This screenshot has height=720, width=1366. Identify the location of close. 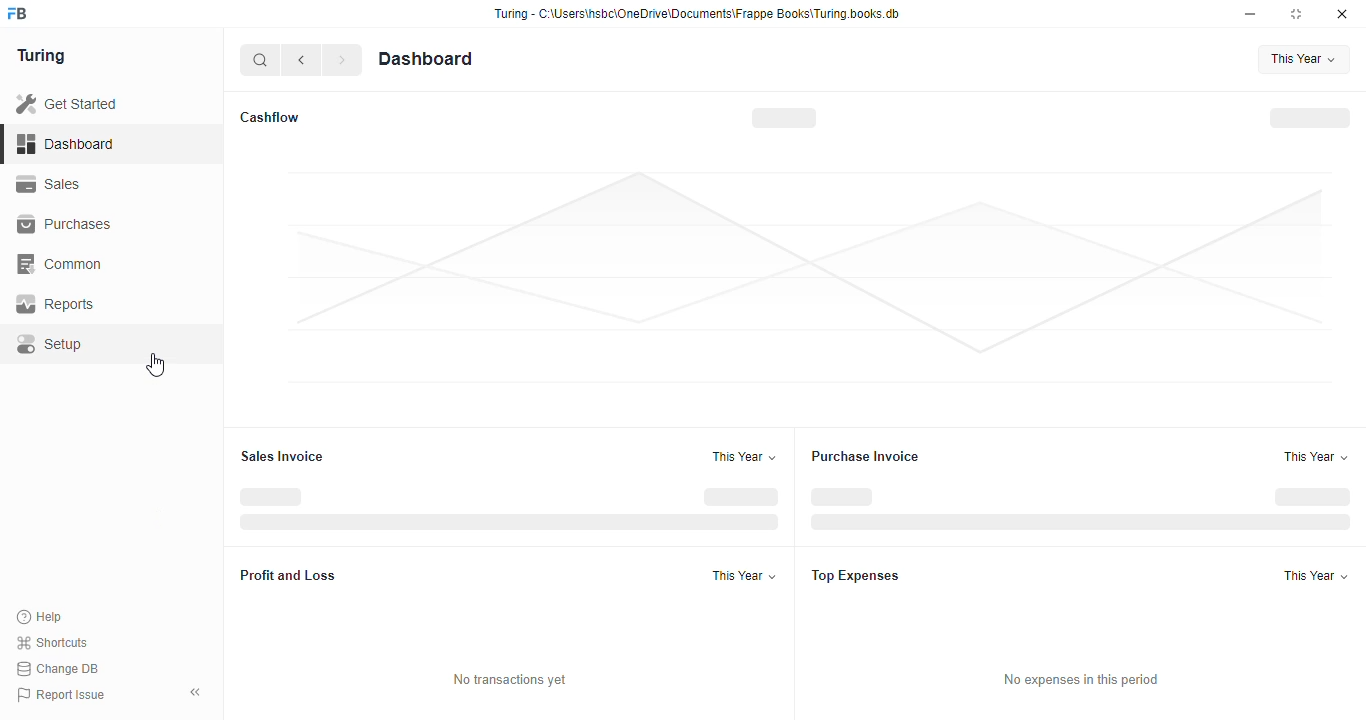
(1342, 14).